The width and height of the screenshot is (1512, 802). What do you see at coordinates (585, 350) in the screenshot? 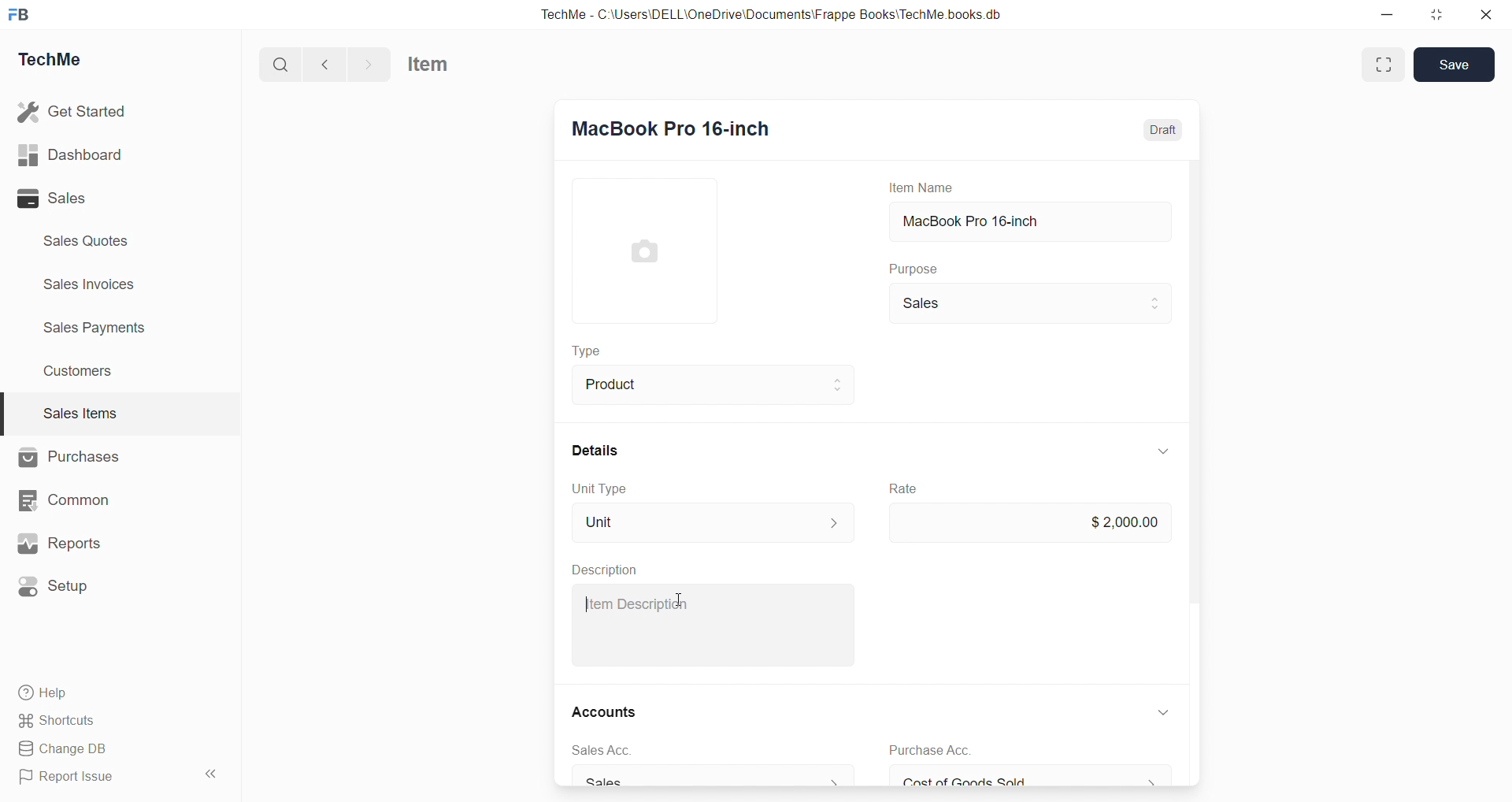
I see `Type` at bounding box center [585, 350].